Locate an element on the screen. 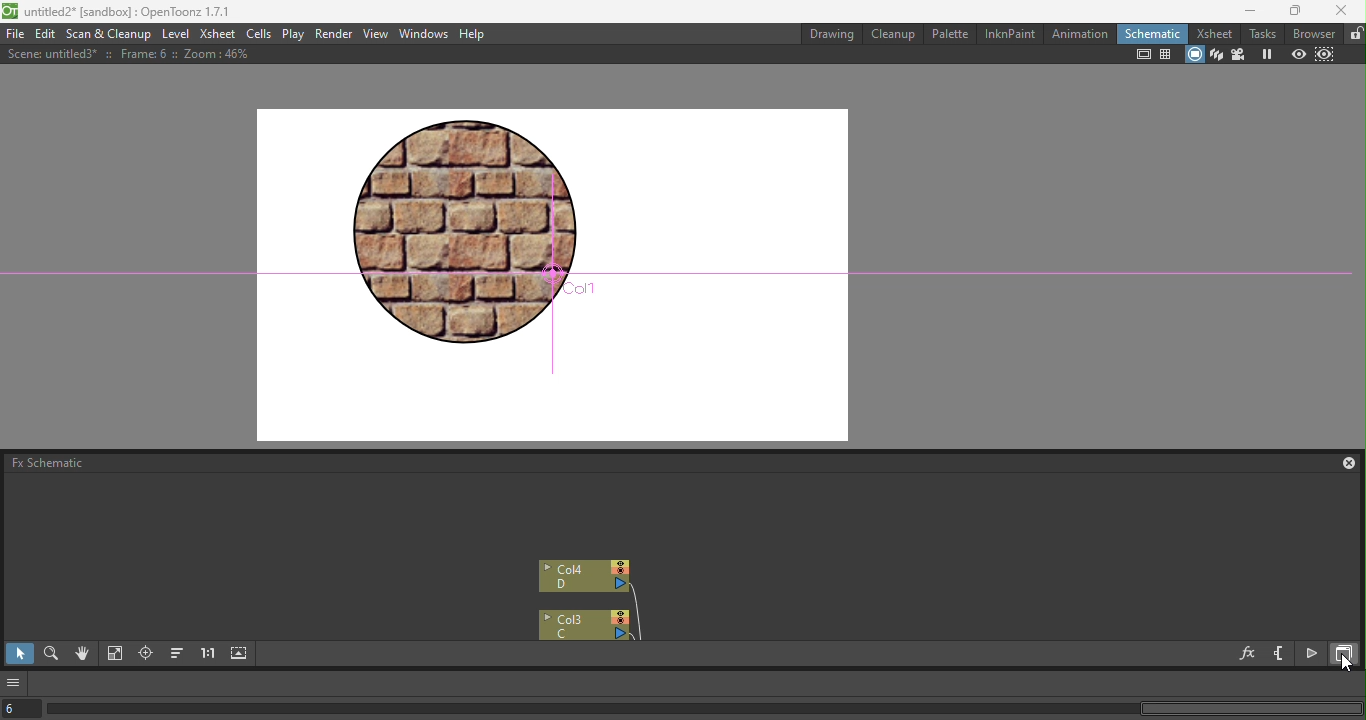 This screenshot has height=720, width=1366. Close is located at coordinates (1342, 10).